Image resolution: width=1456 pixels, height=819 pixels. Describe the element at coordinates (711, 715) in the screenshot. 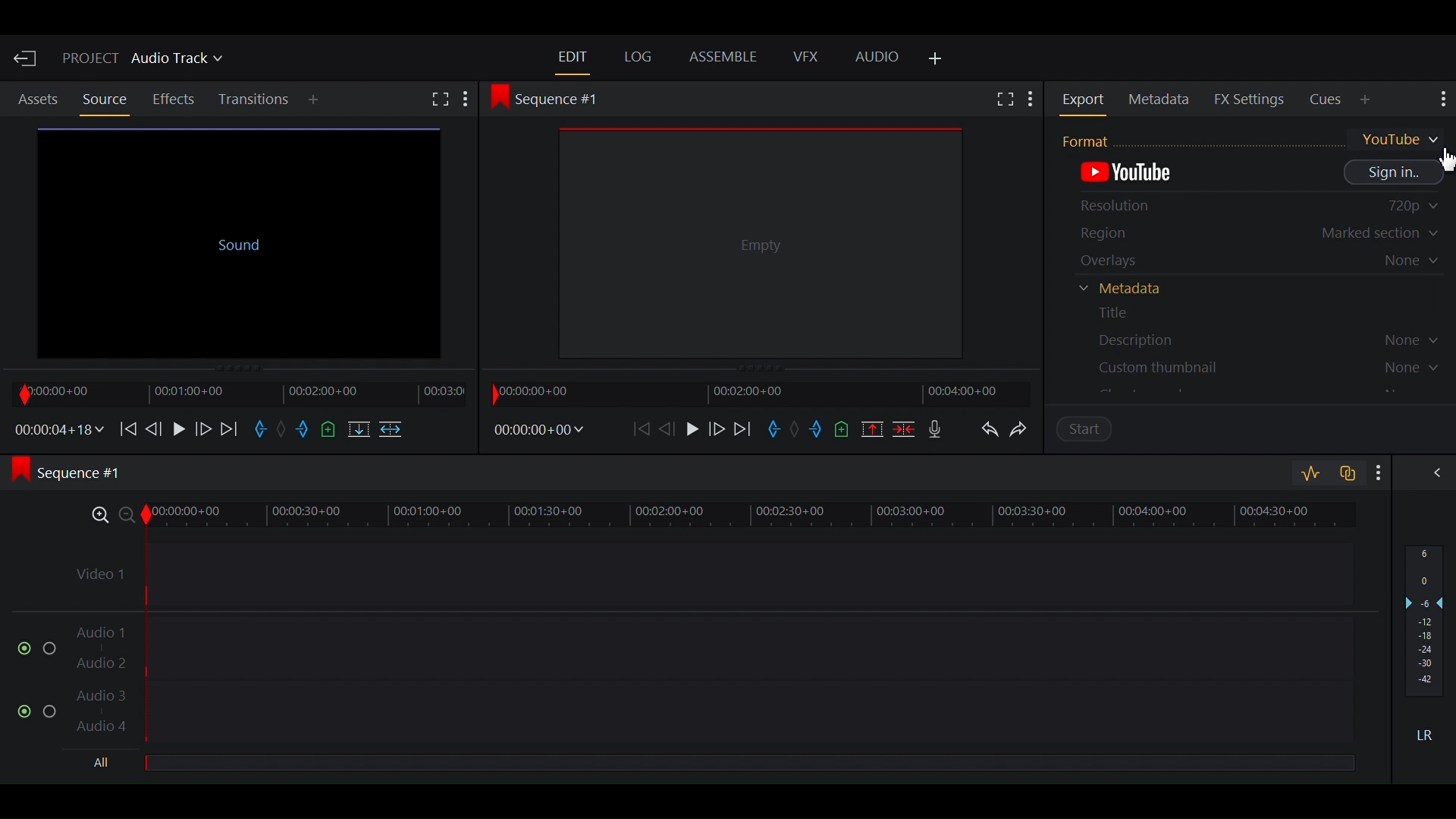

I see `Audio Track 3, Audio Track 4` at that location.